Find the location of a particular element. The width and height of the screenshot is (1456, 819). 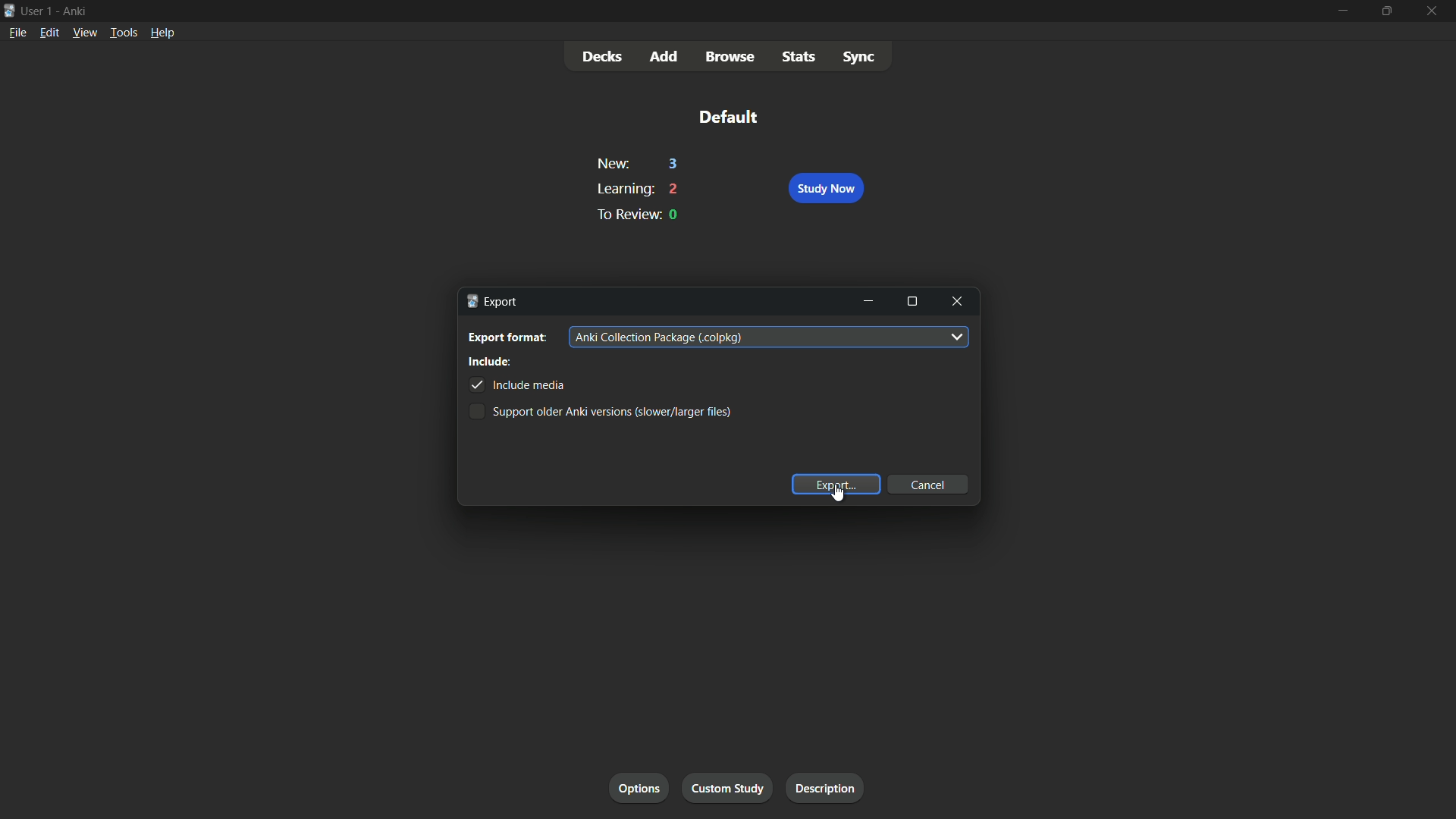

import file is located at coordinates (830, 789).